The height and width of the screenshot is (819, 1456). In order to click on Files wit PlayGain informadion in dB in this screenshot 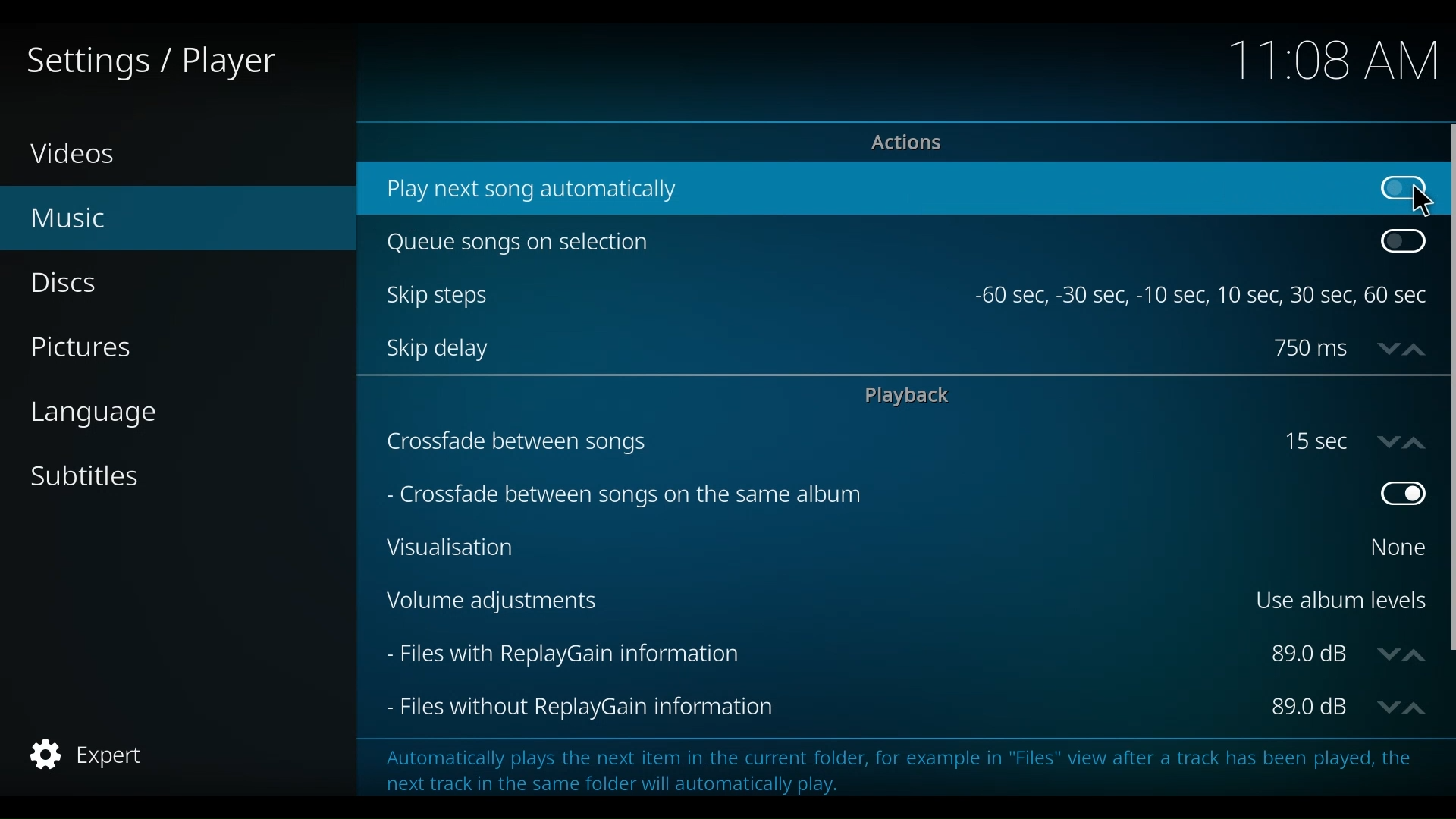, I will do `click(1311, 654)`.